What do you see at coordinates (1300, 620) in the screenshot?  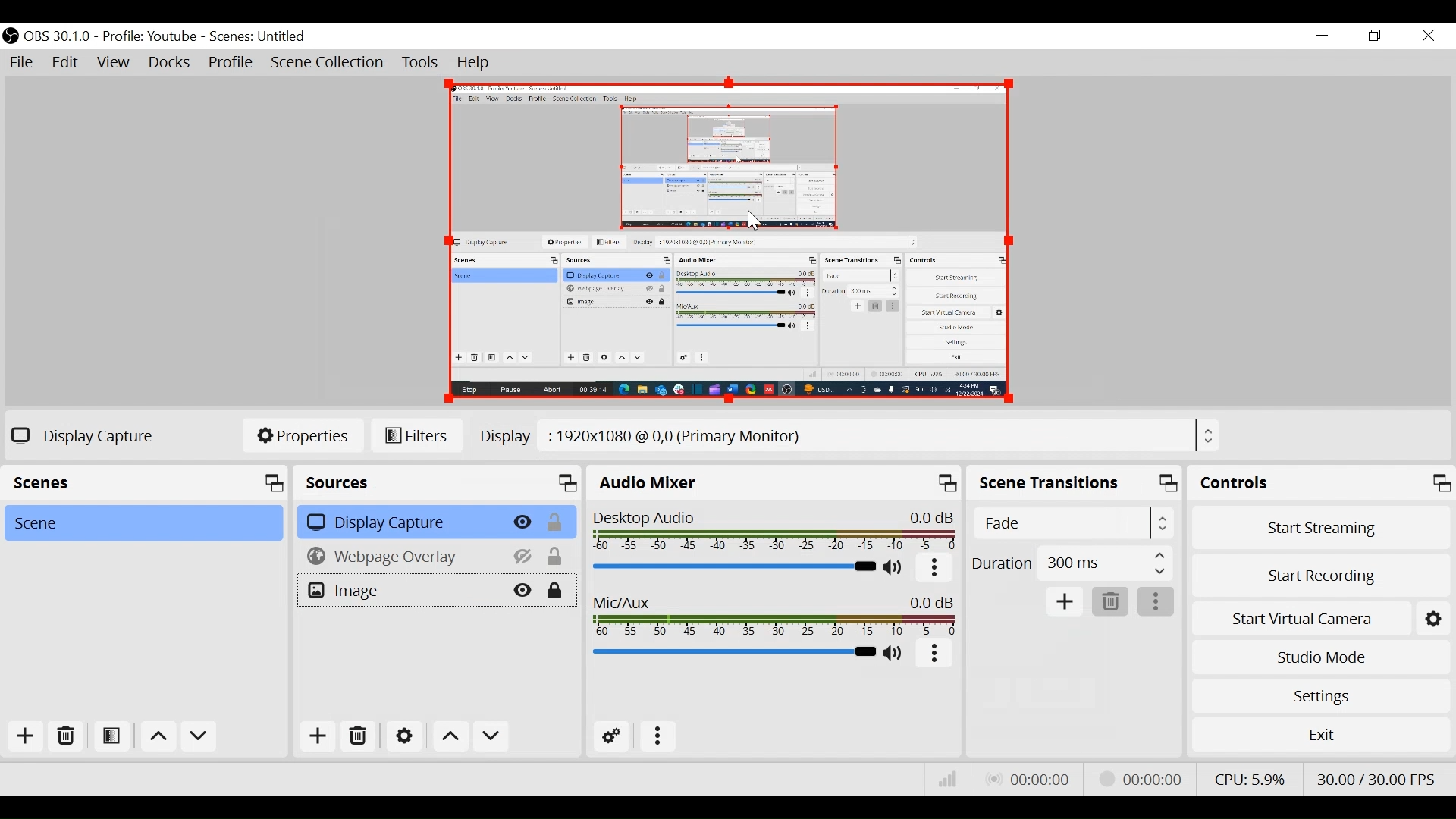 I see `Start Virtual Camera` at bounding box center [1300, 620].